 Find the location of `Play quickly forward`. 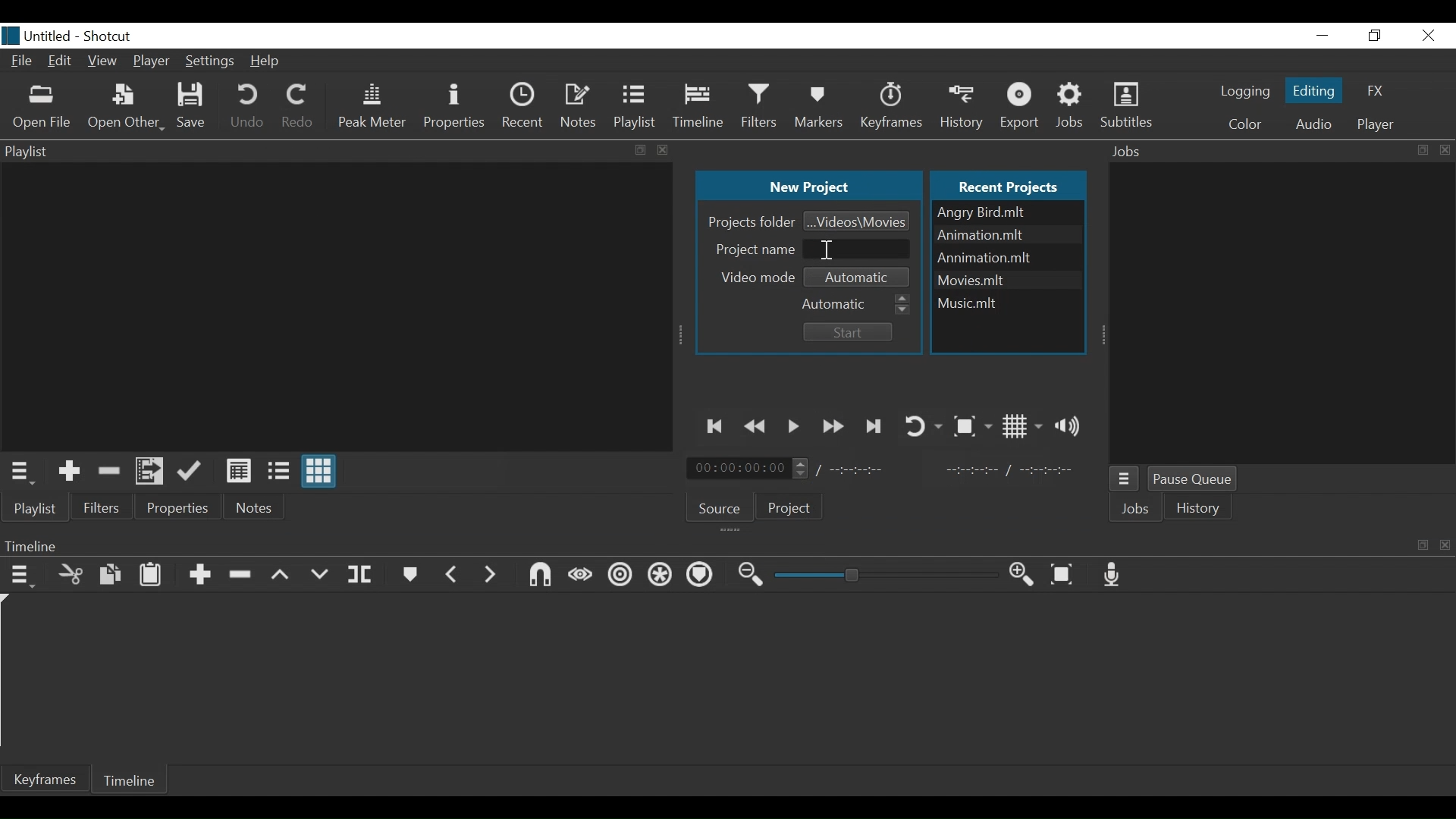

Play quickly forward is located at coordinates (833, 426).